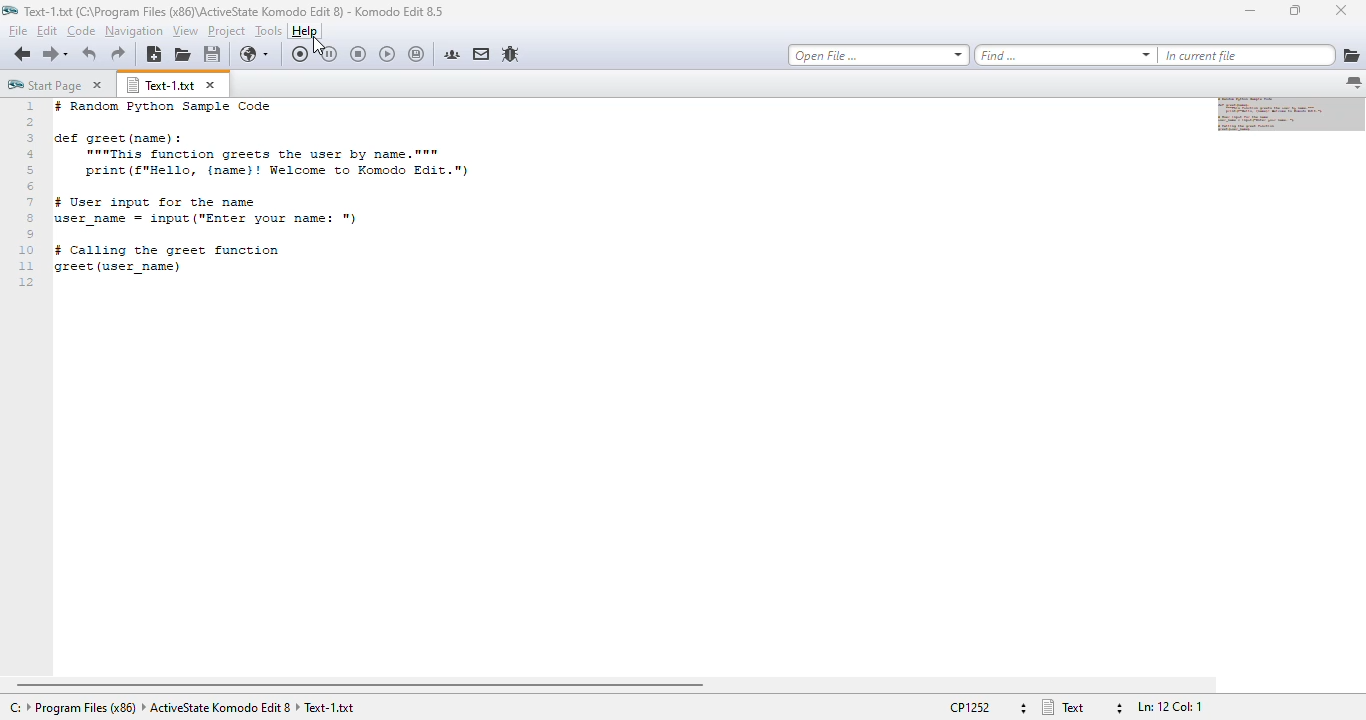  I want to click on pause macro recording, so click(329, 54).